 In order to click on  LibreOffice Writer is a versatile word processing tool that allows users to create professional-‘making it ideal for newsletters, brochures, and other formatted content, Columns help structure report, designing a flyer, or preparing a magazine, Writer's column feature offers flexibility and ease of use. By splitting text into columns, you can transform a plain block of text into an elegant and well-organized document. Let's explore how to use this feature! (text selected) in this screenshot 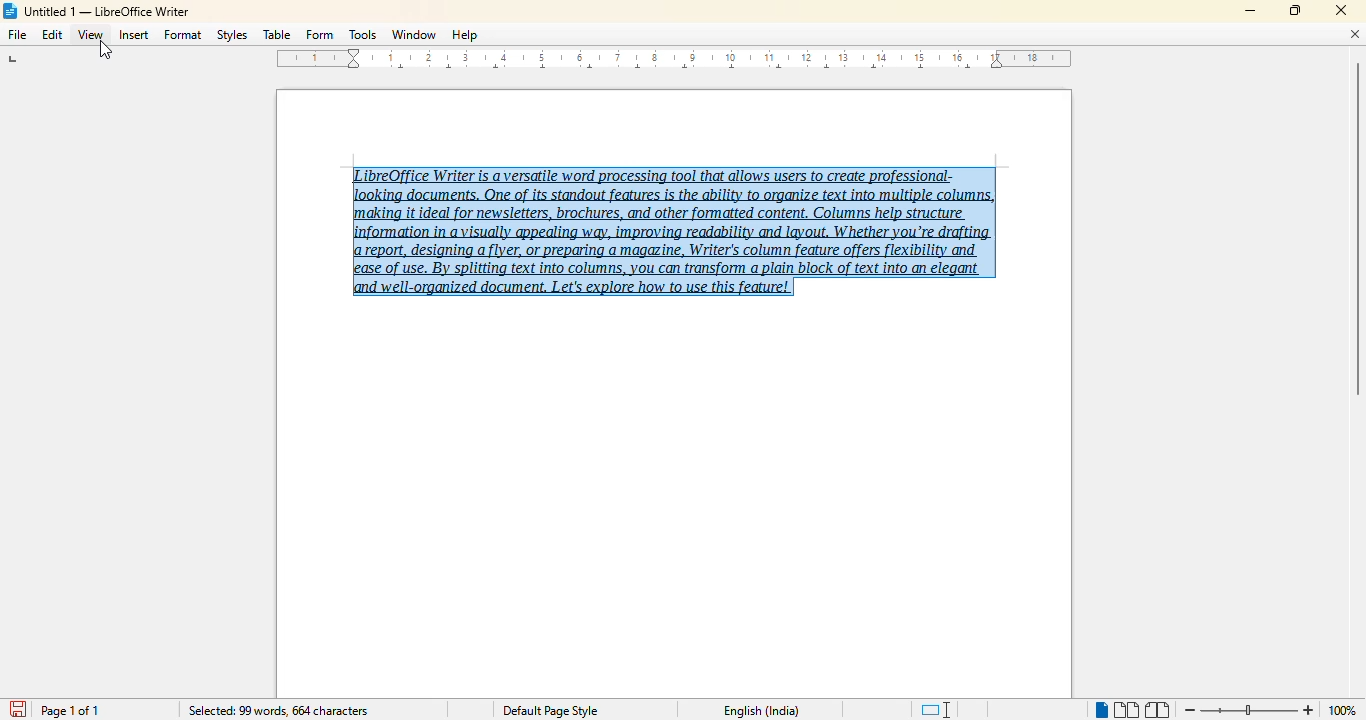, I will do `click(676, 229)`.